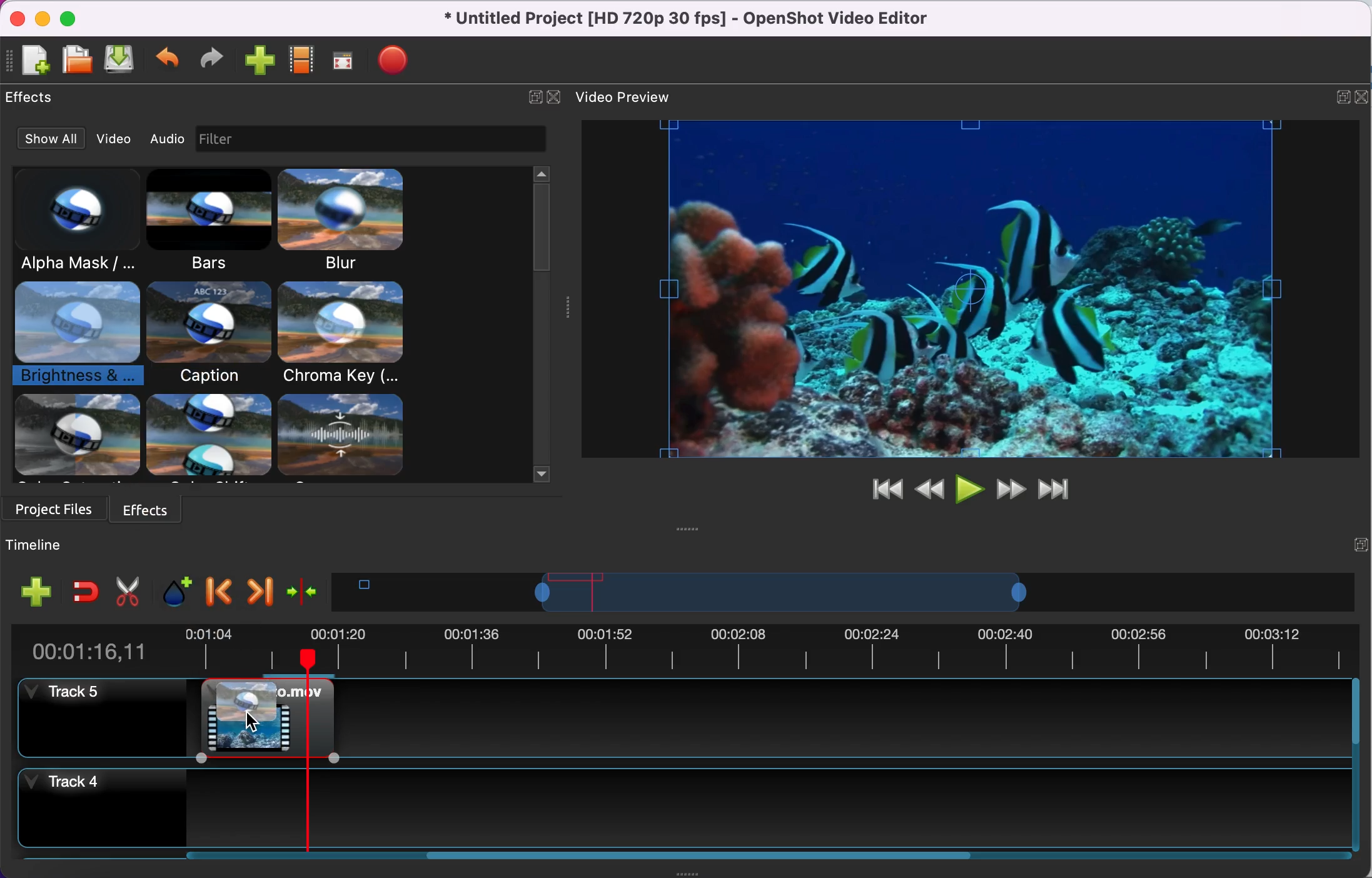 The height and width of the screenshot is (878, 1372). I want to click on play, so click(969, 489).